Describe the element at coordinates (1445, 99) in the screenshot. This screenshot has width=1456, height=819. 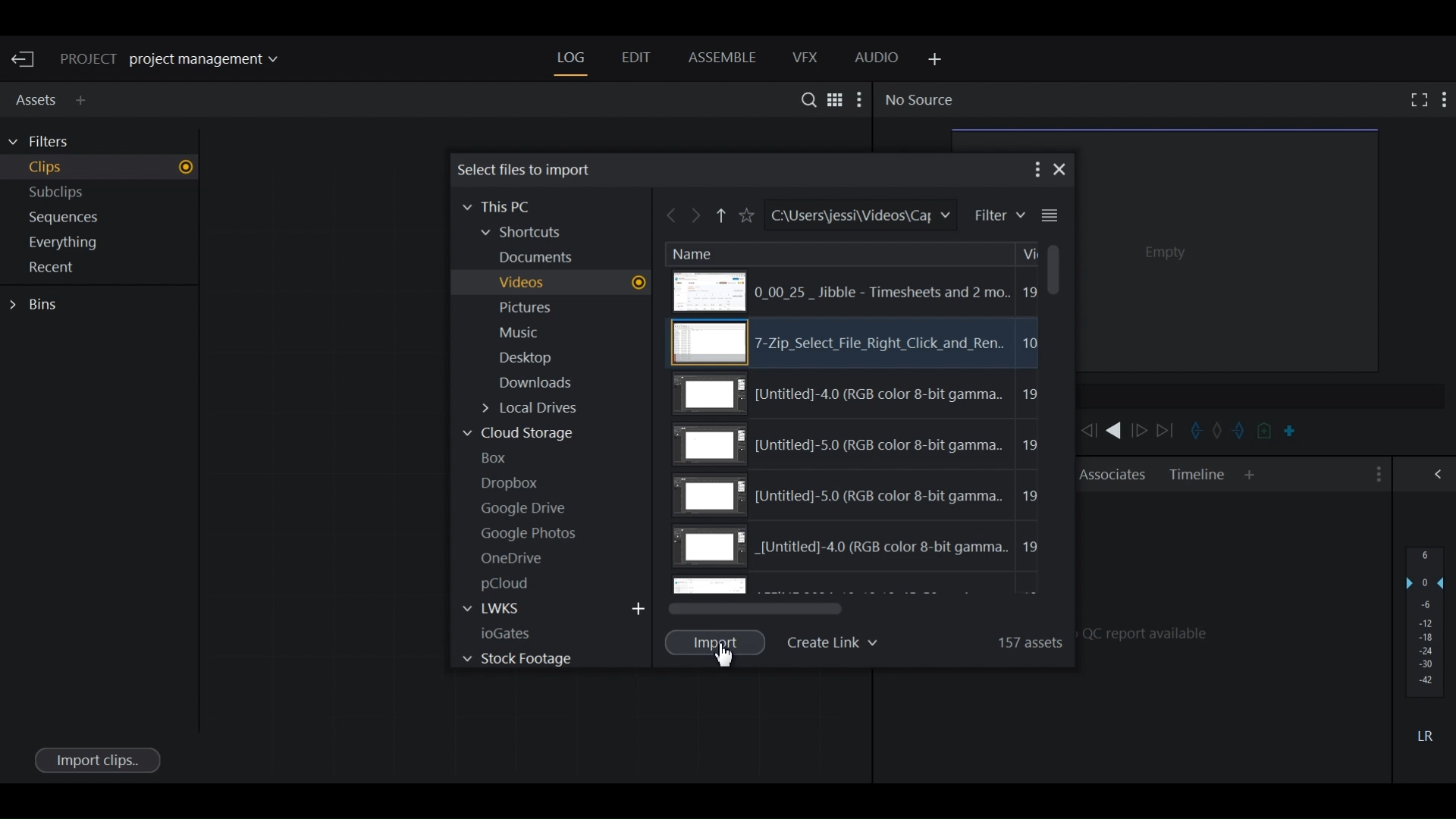
I see `Show settings menu` at that location.